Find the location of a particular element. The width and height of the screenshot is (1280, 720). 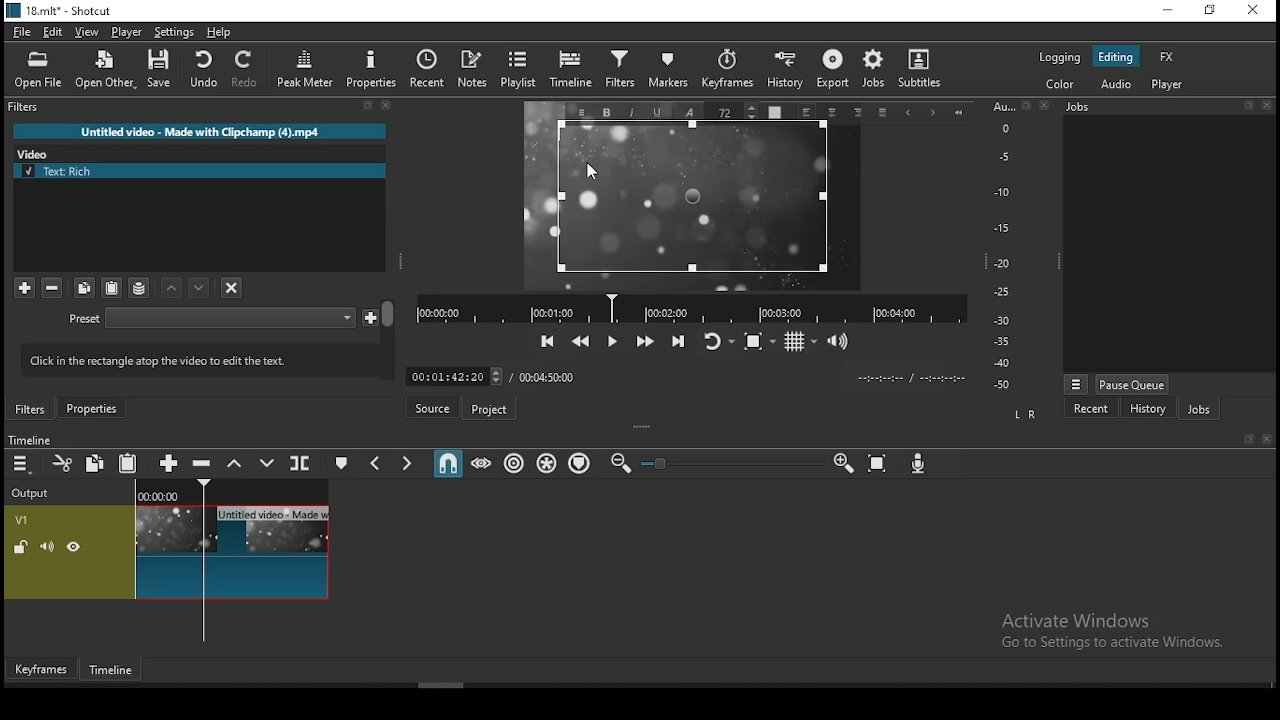

edit is located at coordinates (55, 33).